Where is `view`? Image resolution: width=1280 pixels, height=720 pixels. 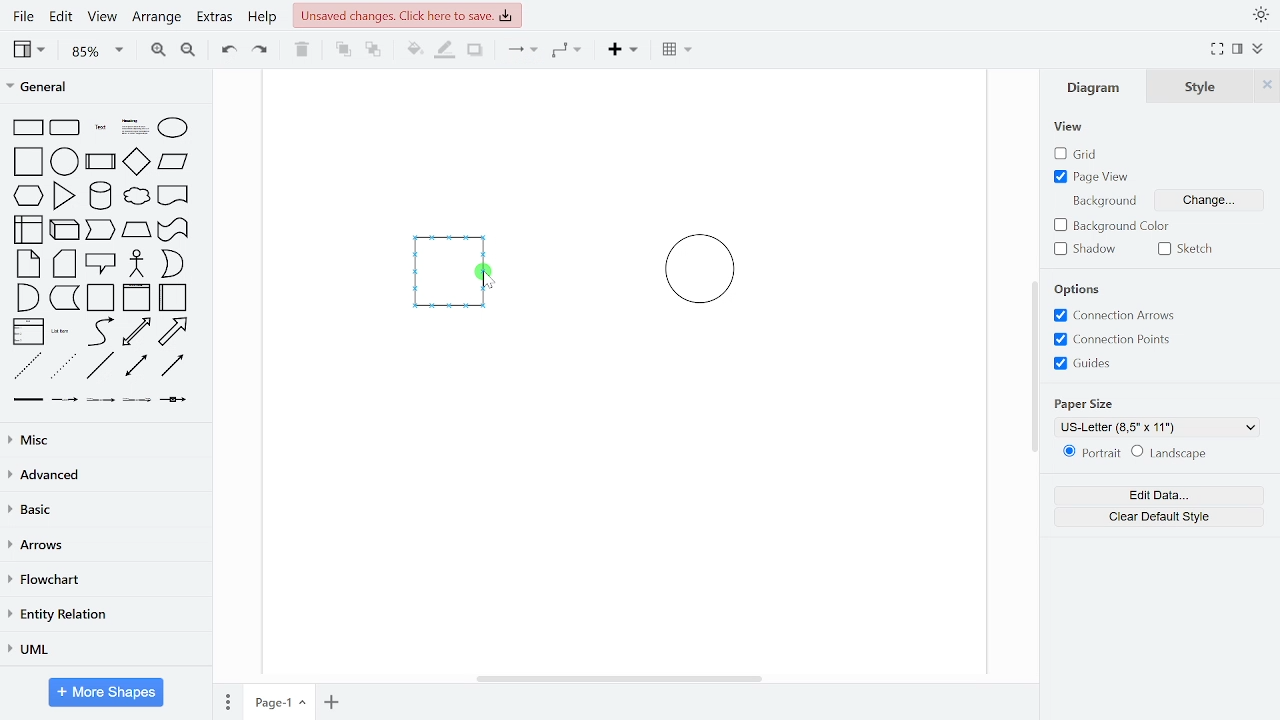 view is located at coordinates (1070, 128).